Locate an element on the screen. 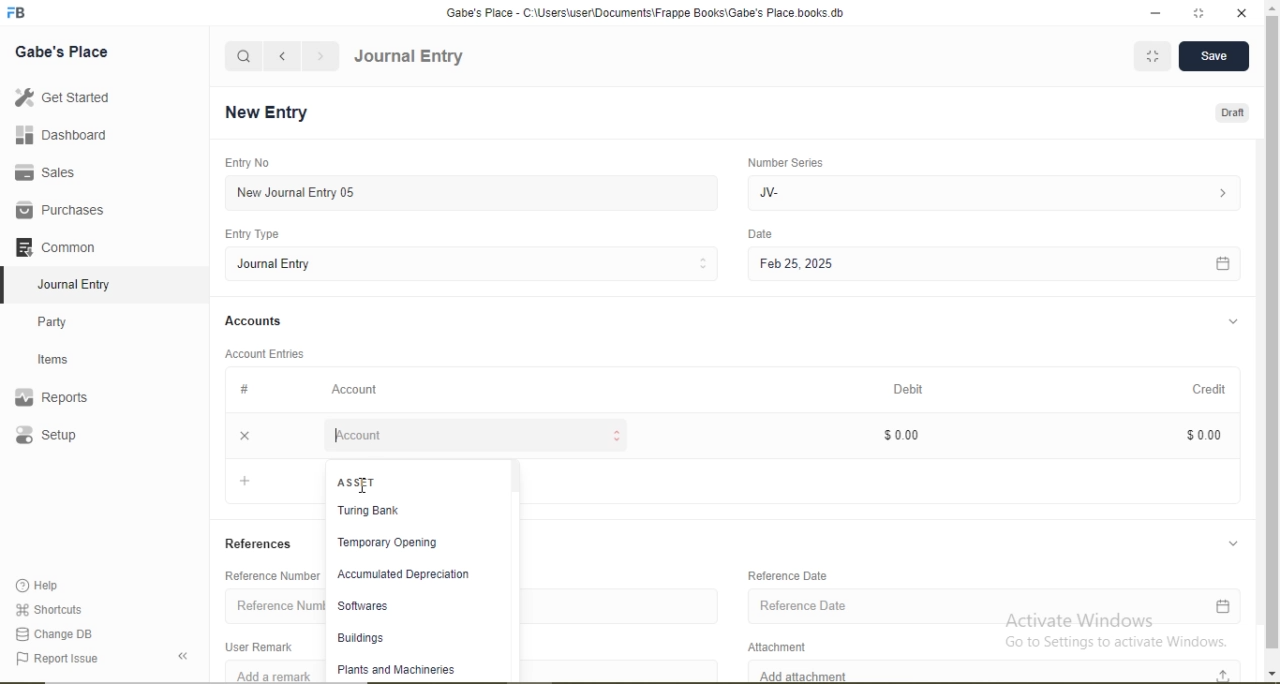  References. is located at coordinates (259, 543).